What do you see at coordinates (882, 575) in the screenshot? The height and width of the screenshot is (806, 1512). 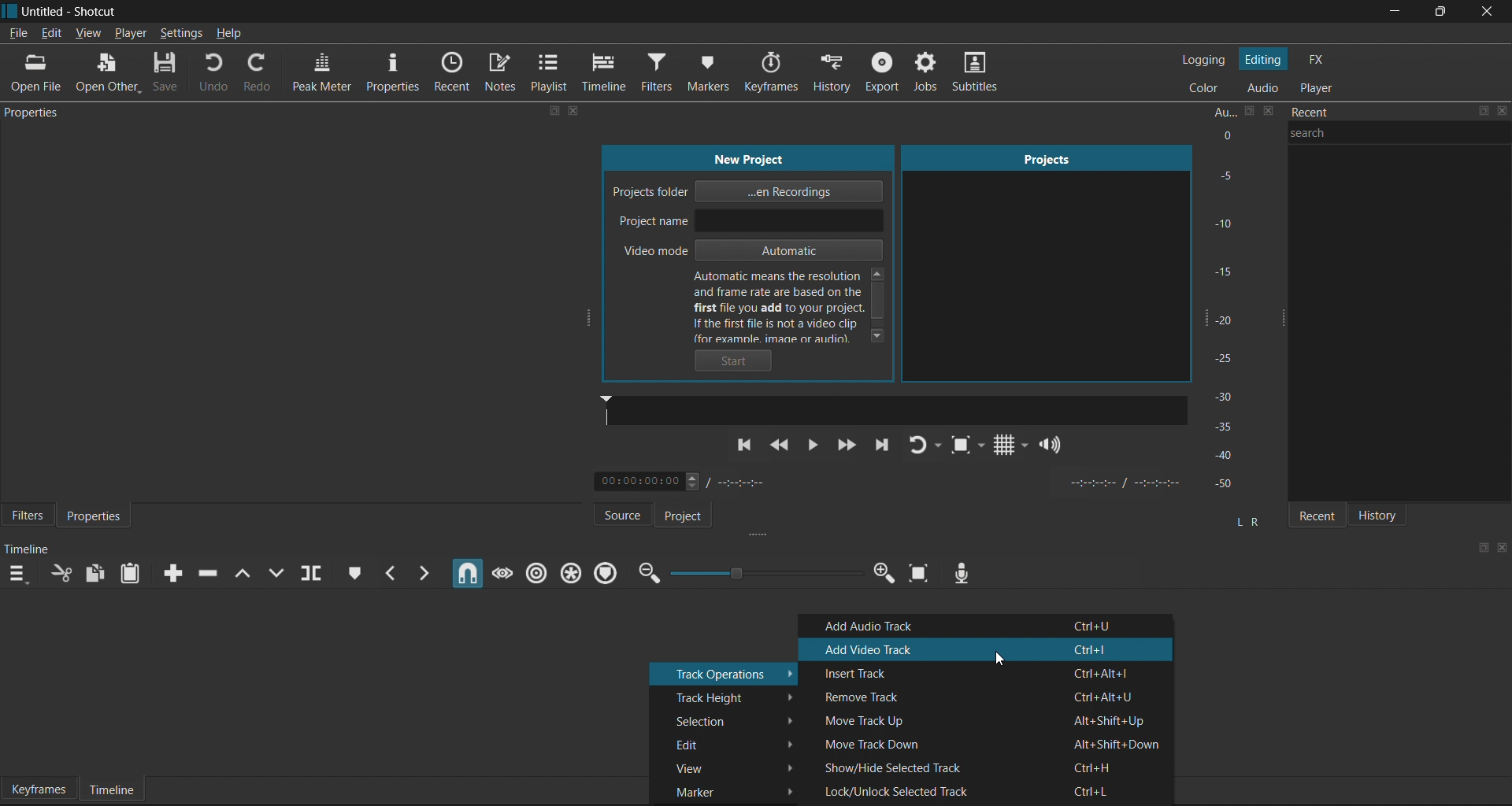 I see `Zoom in` at bounding box center [882, 575].